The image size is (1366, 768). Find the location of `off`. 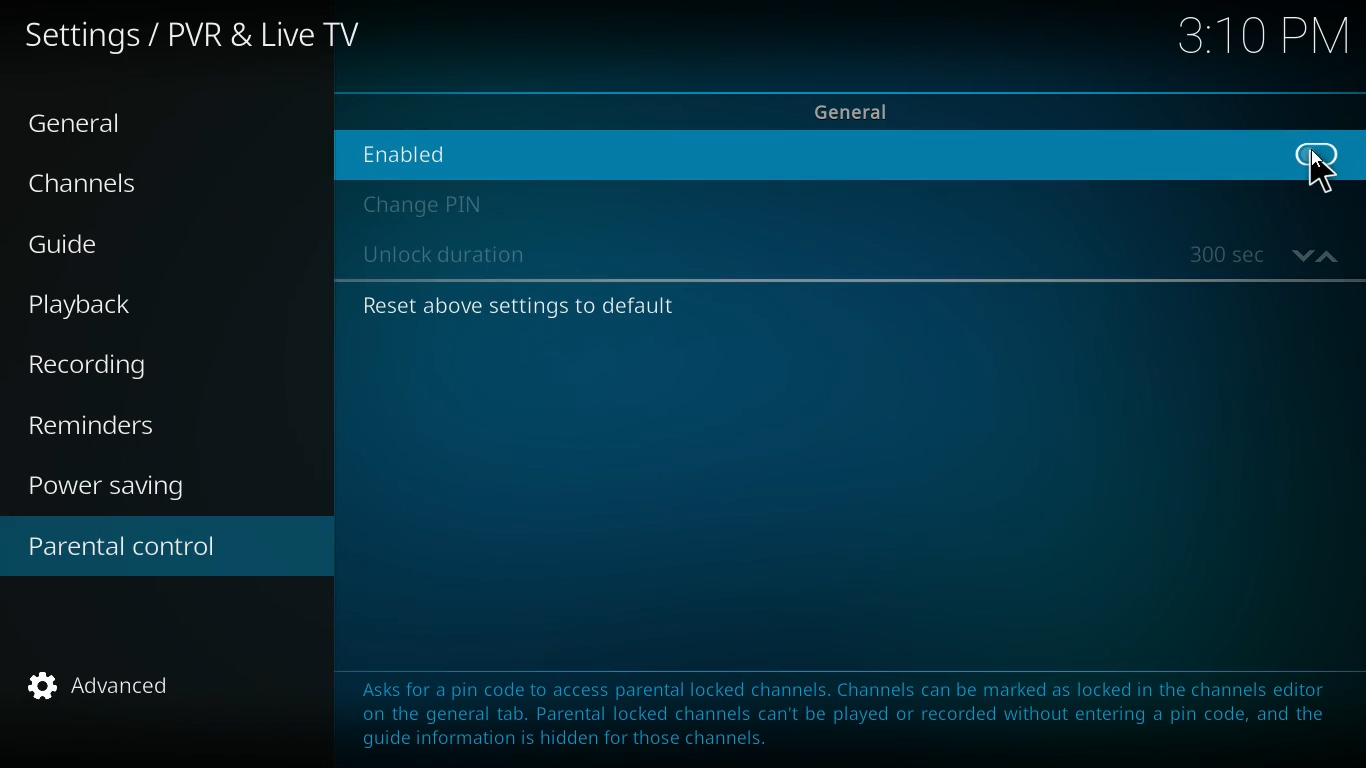

off is located at coordinates (1318, 166).